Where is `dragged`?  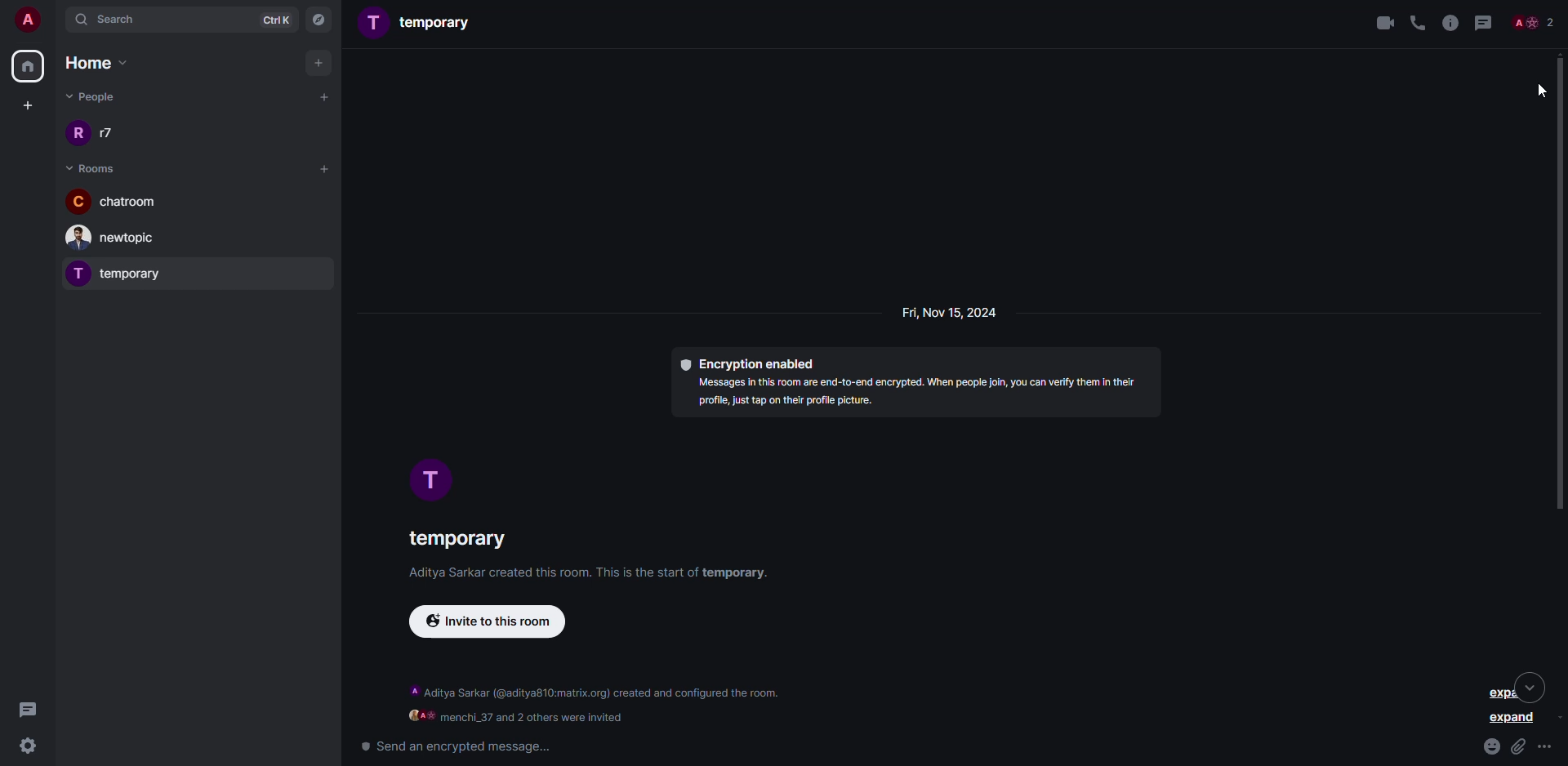 dragged is located at coordinates (1561, 284).